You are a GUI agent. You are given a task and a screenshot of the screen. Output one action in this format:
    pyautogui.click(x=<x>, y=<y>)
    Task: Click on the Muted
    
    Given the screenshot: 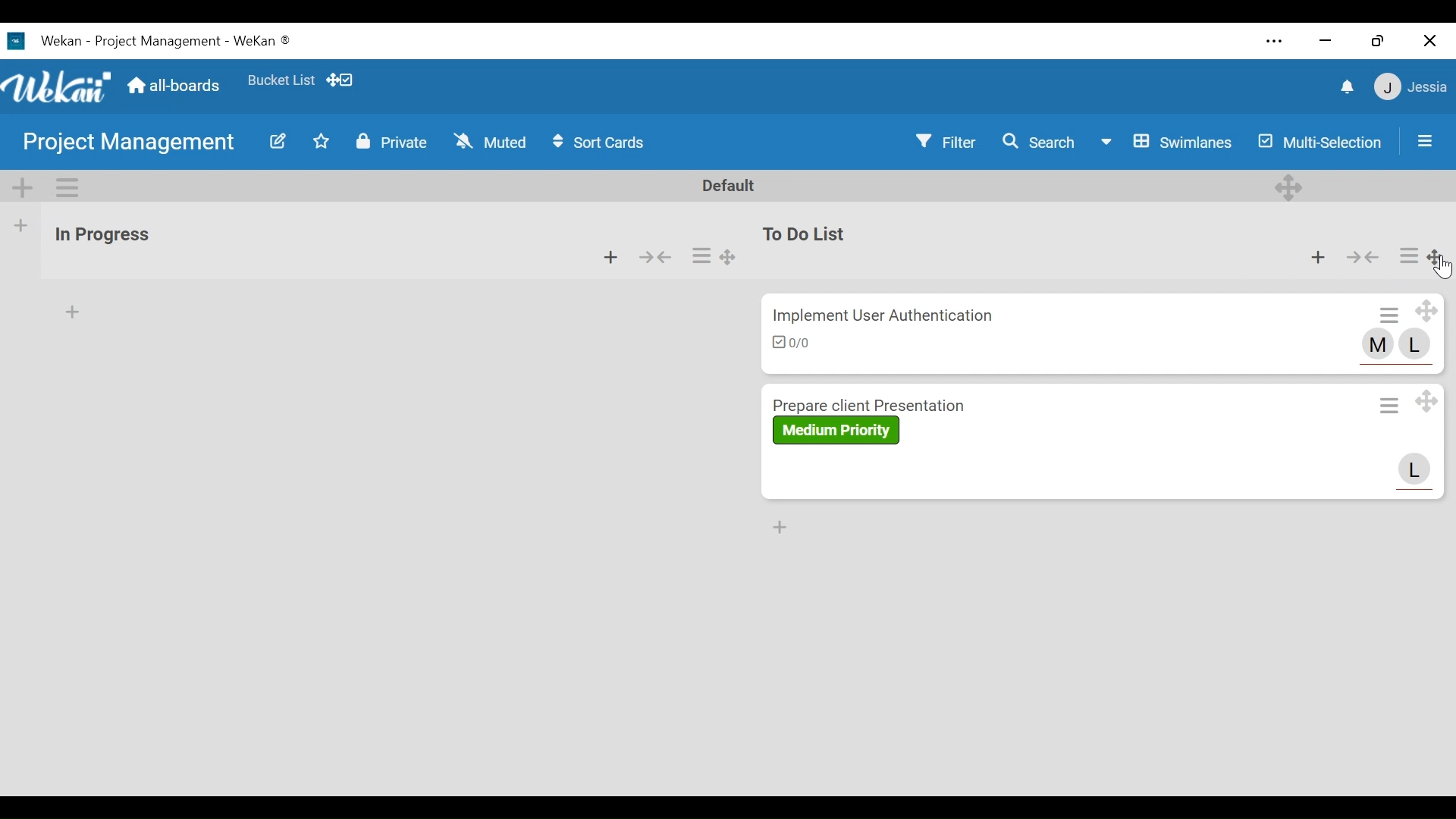 What is the action you would take?
    pyautogui.click(x=493, y=142)
    